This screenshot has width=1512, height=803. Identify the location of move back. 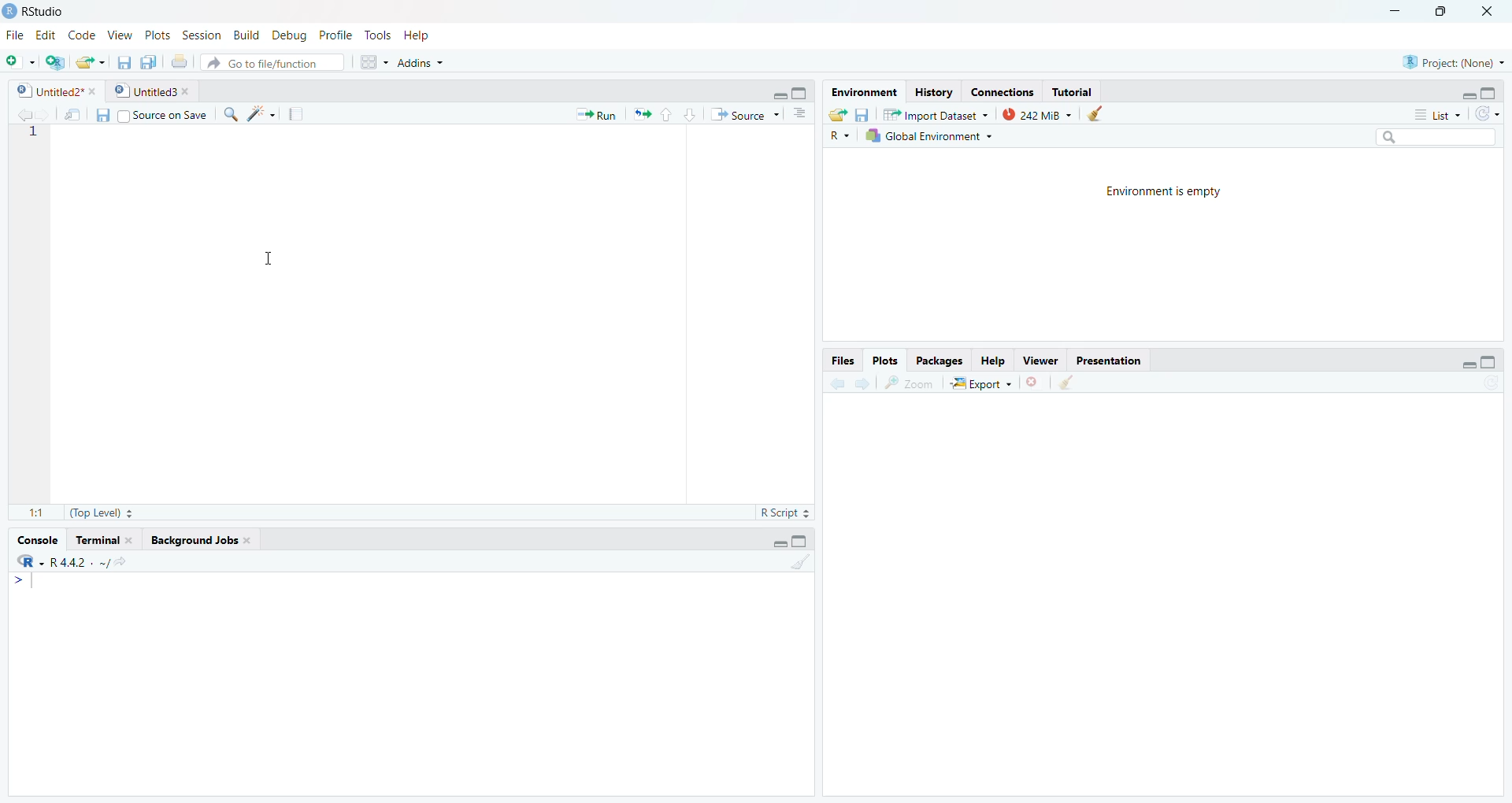
(836, 382).